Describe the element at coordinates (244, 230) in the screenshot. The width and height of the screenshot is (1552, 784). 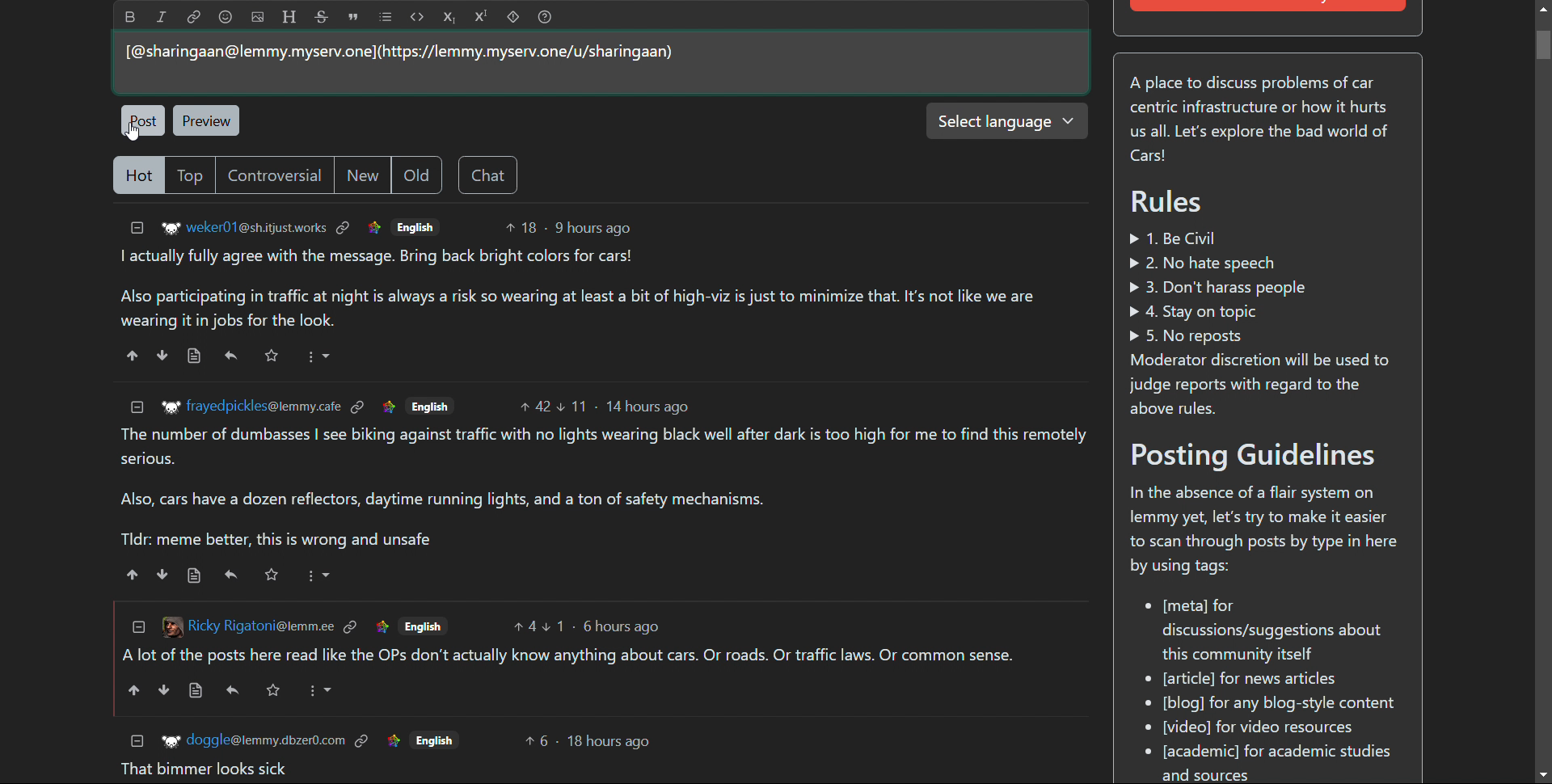
I see `'®" weker01@sh.itjustworks` at that location.